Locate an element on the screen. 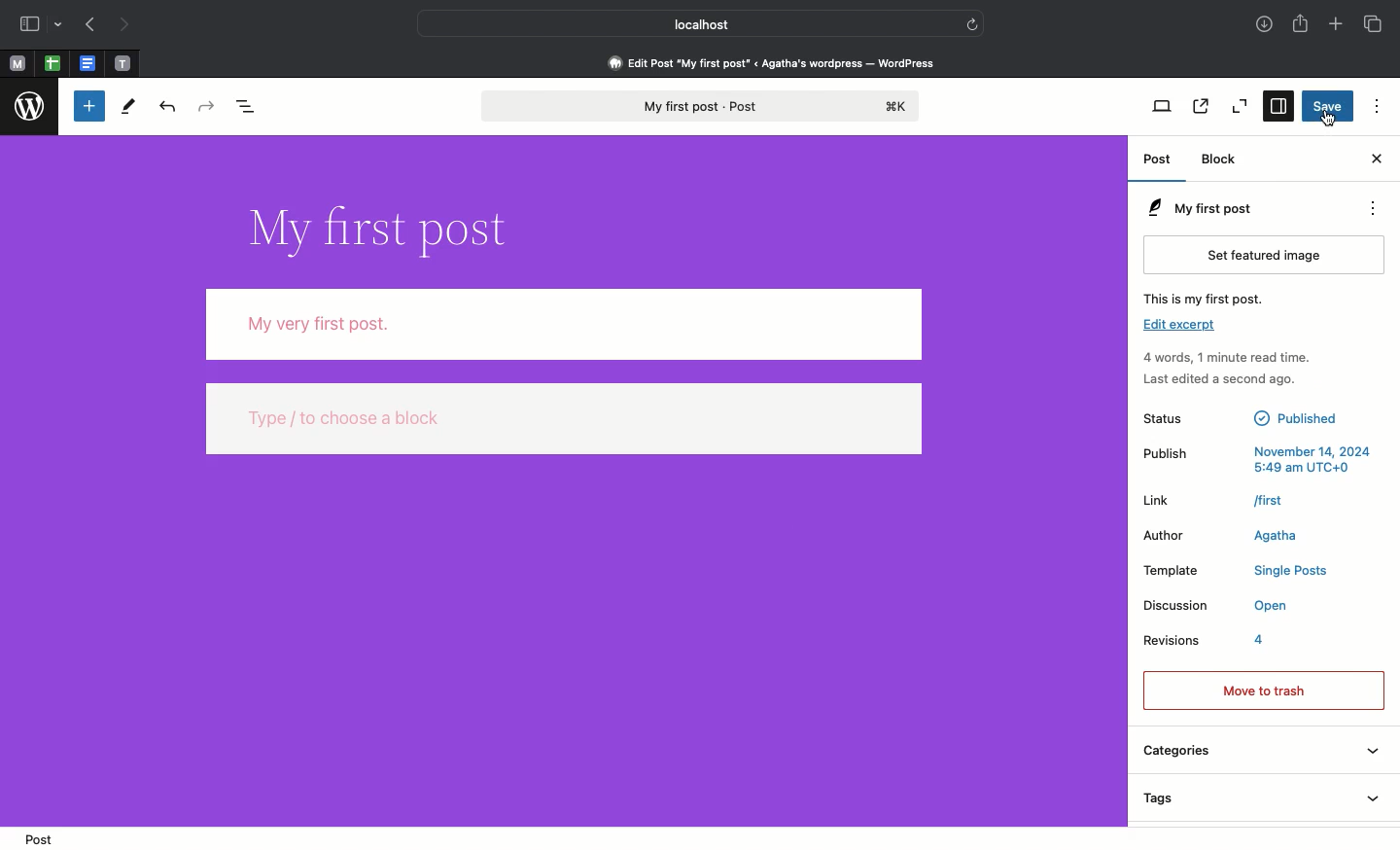 The height and width of the screenshot is (850, 1400). Close is located at coordinates (1375, 159).